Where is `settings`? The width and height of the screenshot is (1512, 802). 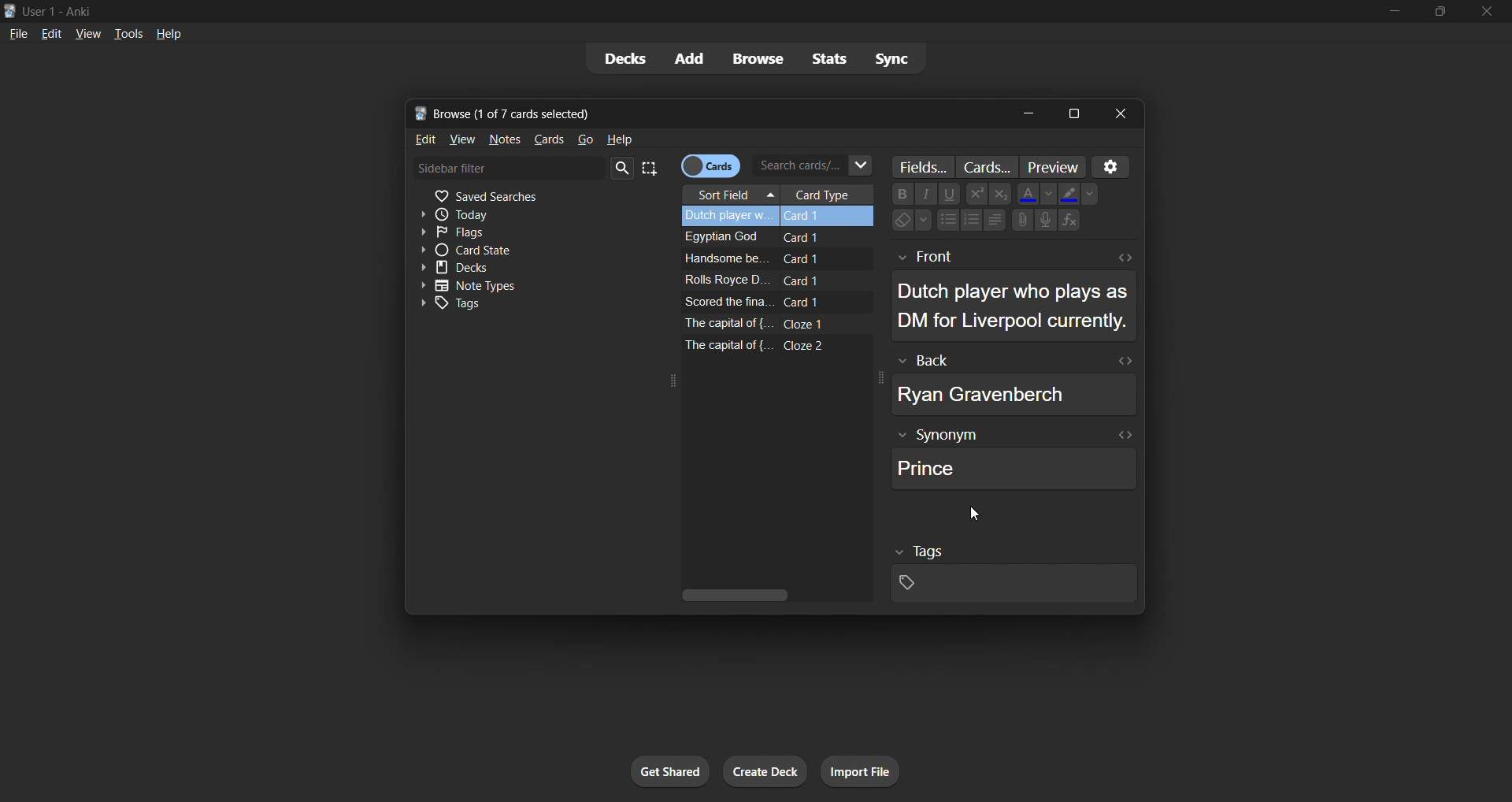
settings is located at coordinates (1111, 168).